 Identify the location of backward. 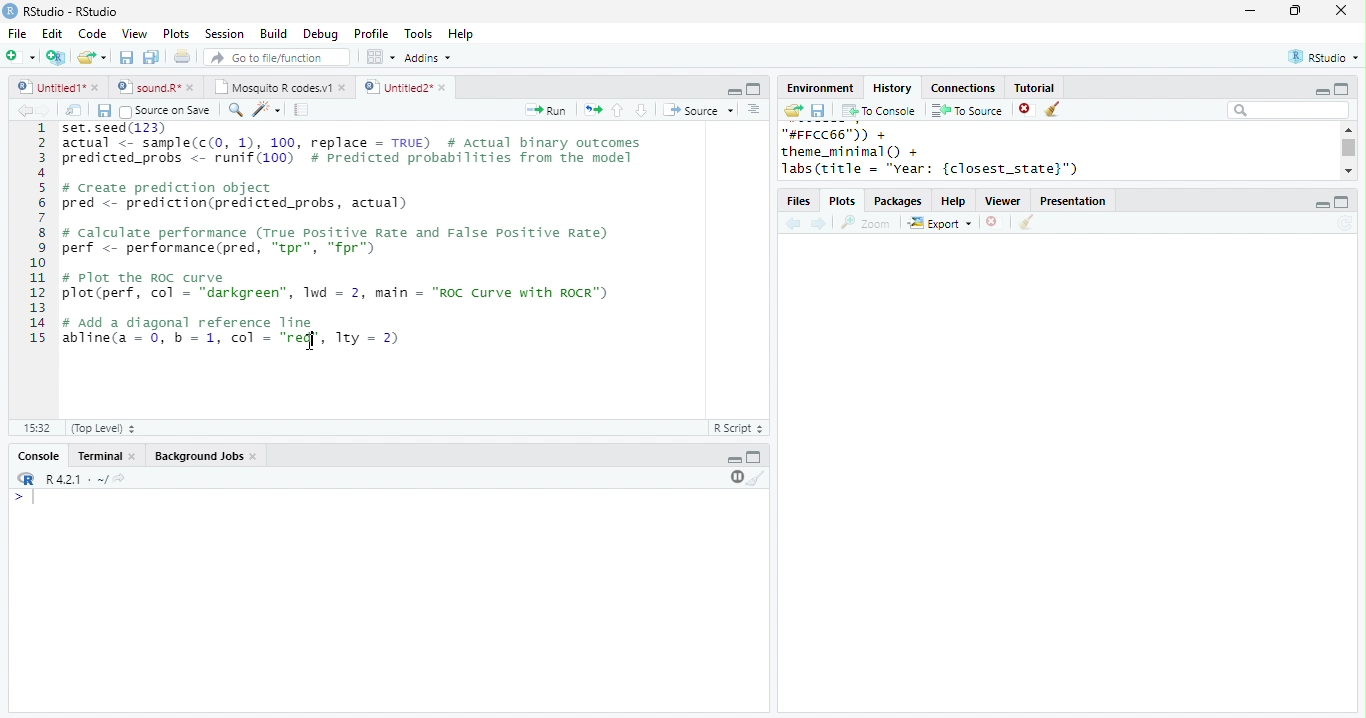
(24, 110).